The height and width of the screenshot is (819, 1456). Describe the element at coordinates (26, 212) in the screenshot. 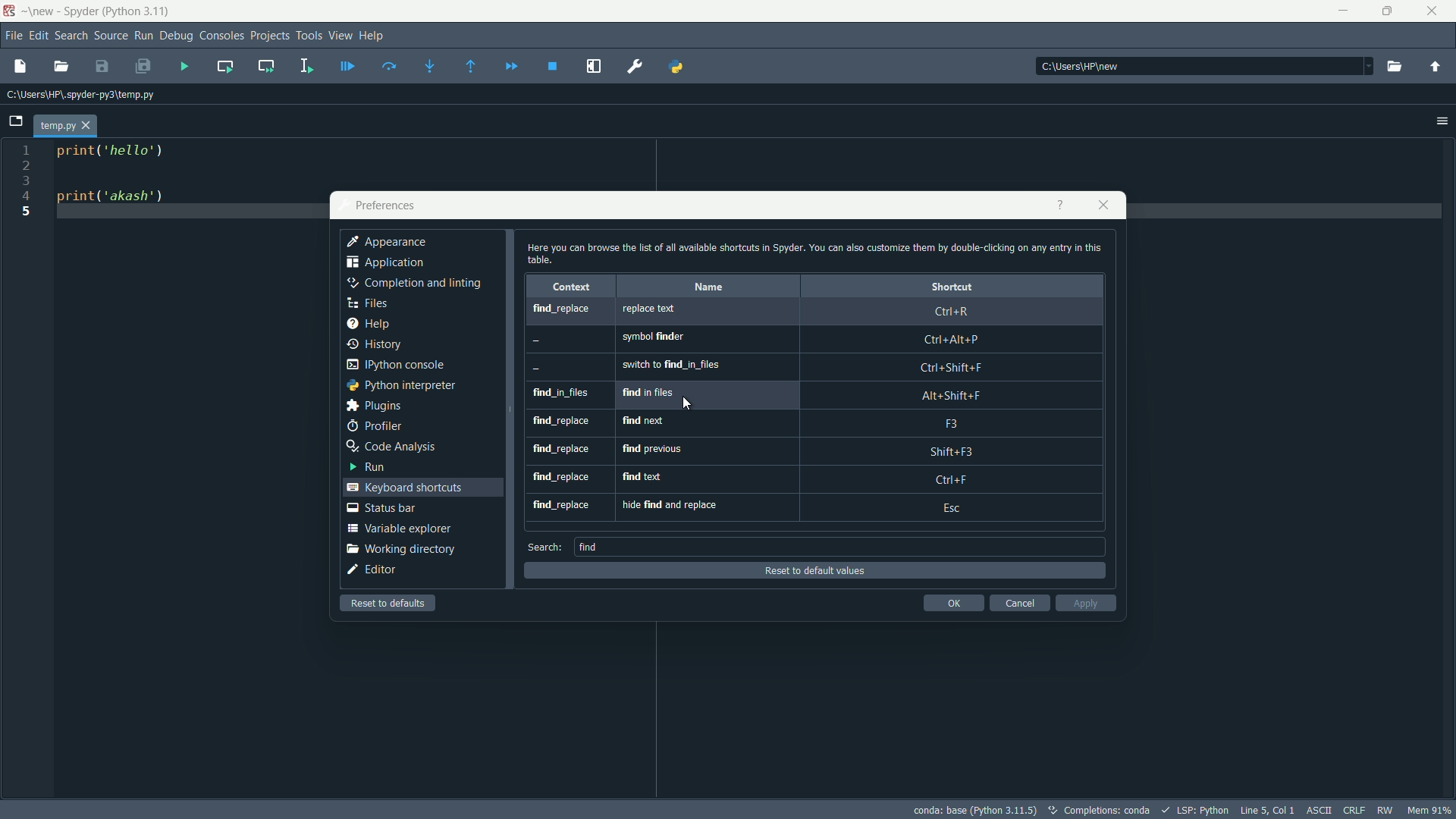

I see `5` at that location.